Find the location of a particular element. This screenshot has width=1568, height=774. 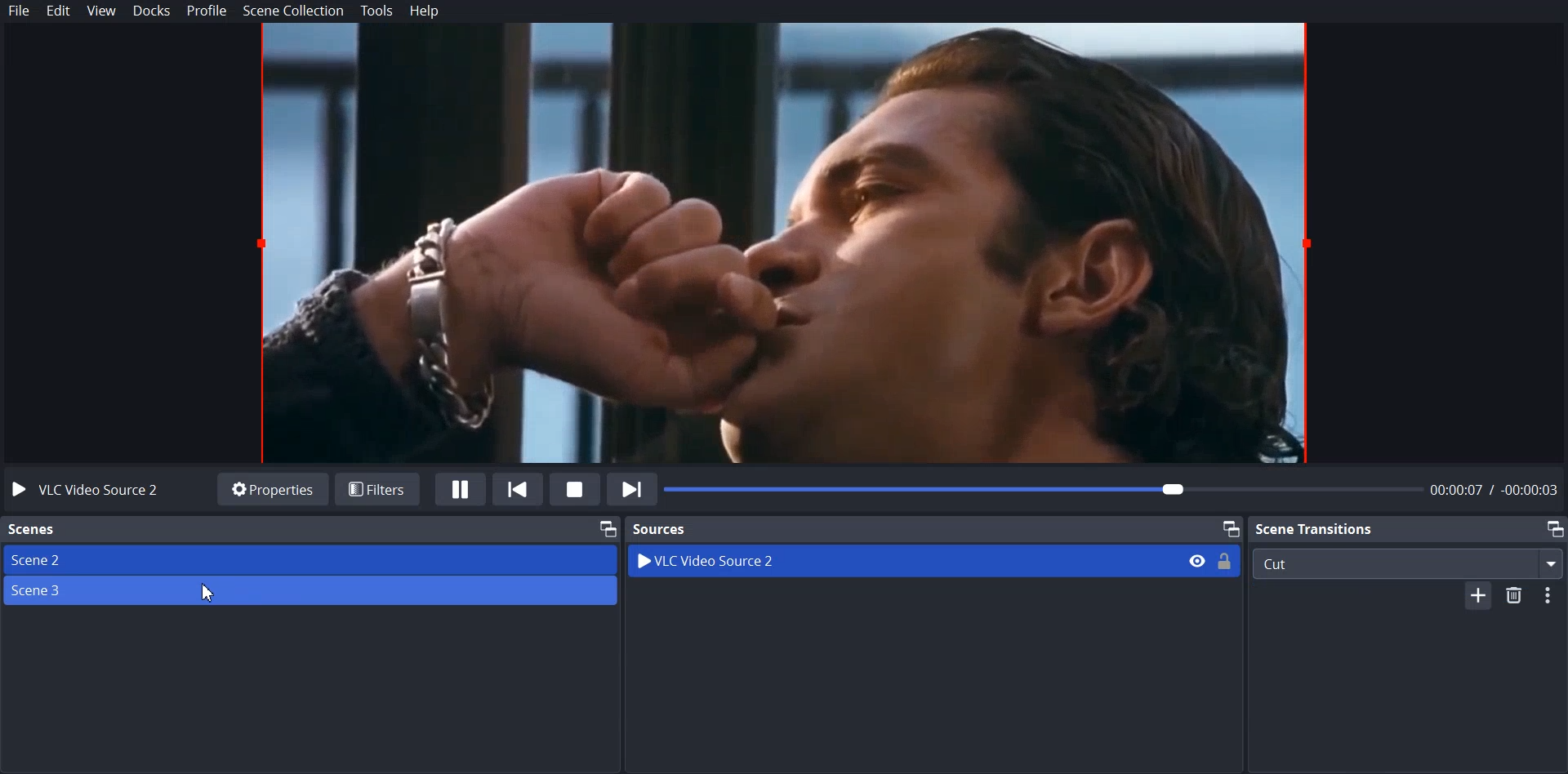

Stop Media is located at coordinates (574, 488).